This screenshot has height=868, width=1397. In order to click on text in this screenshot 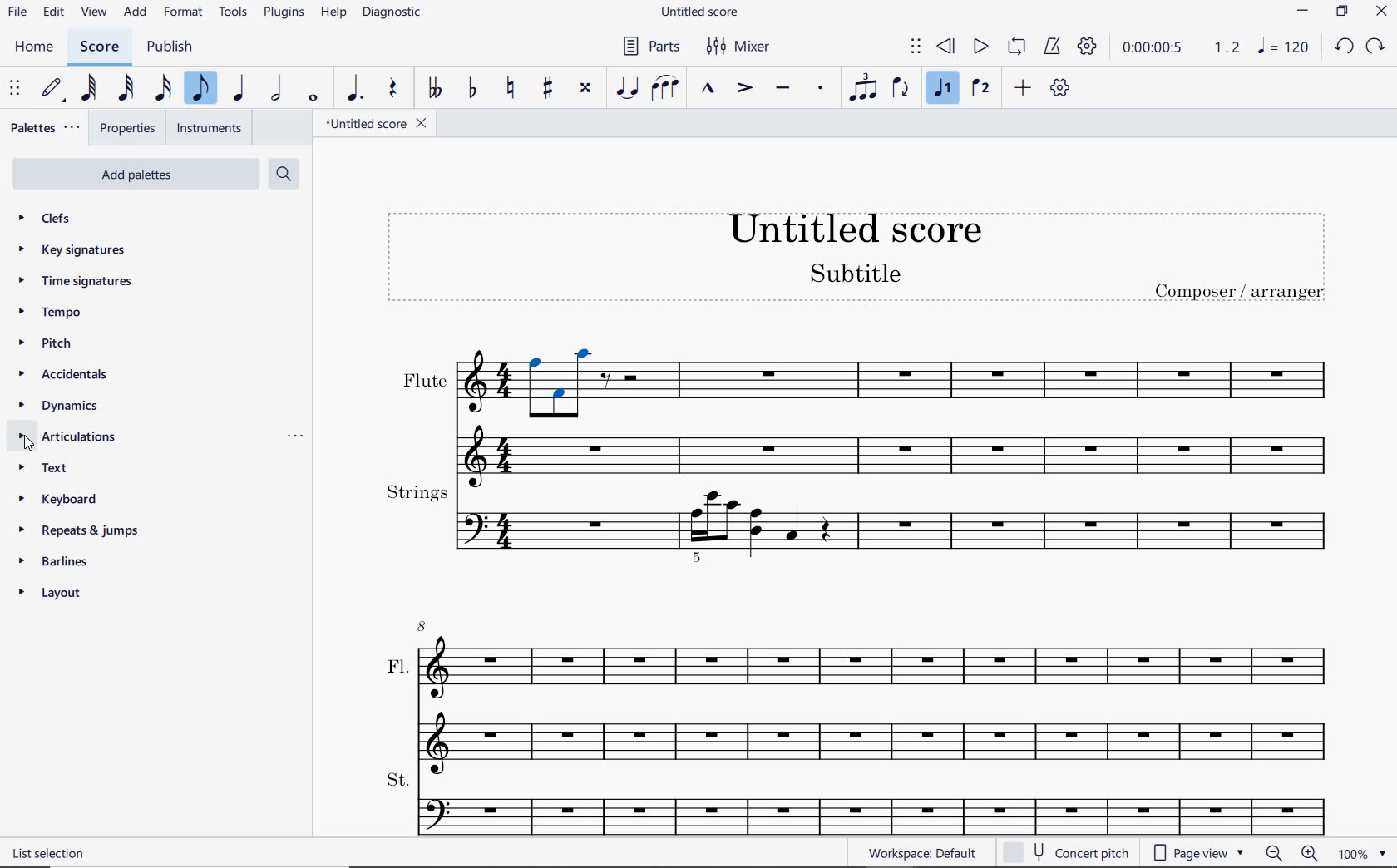, I will do `click(52, 470)`.